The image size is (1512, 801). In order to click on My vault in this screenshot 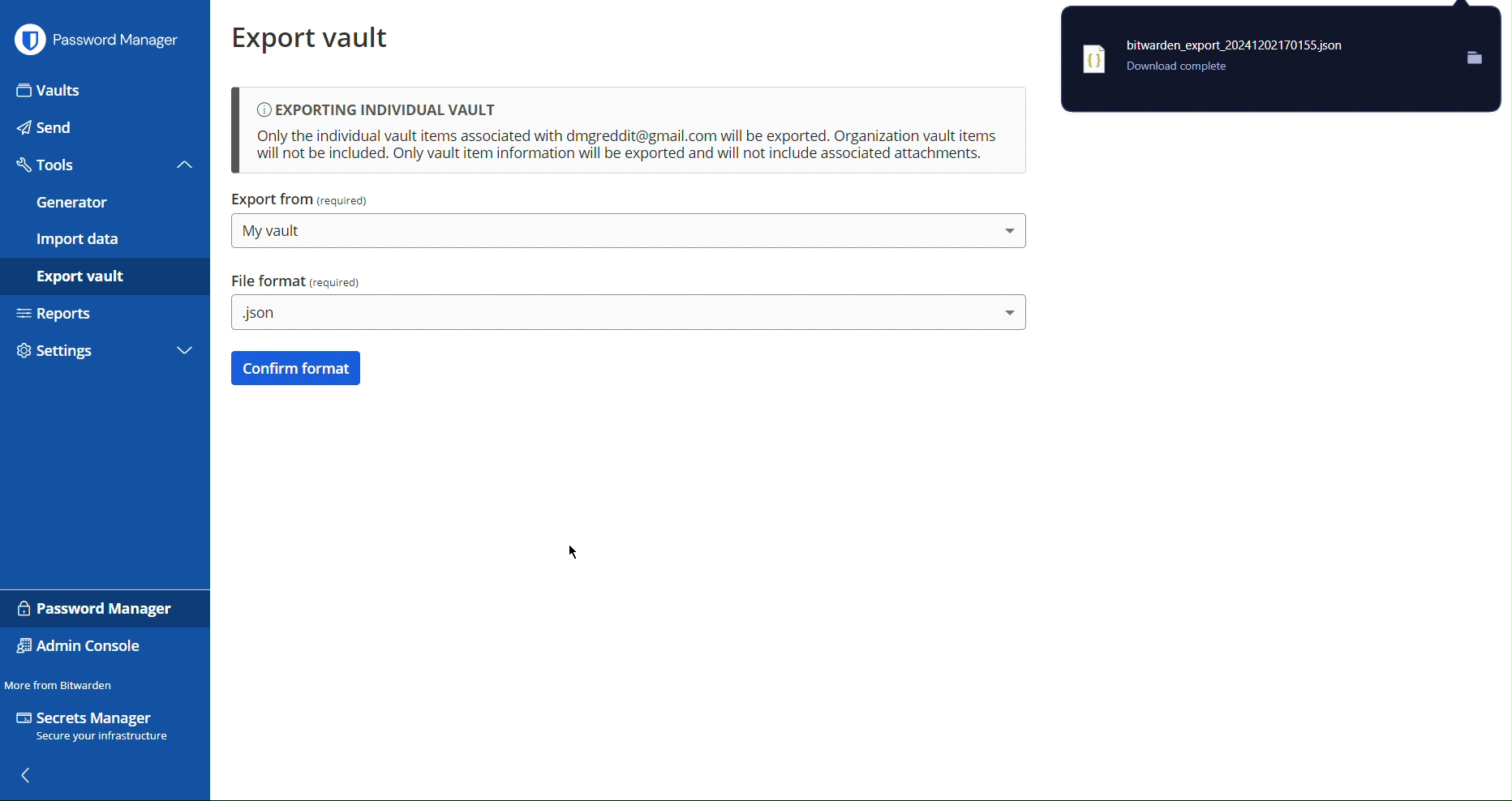, I will do `click(634, 229)`.